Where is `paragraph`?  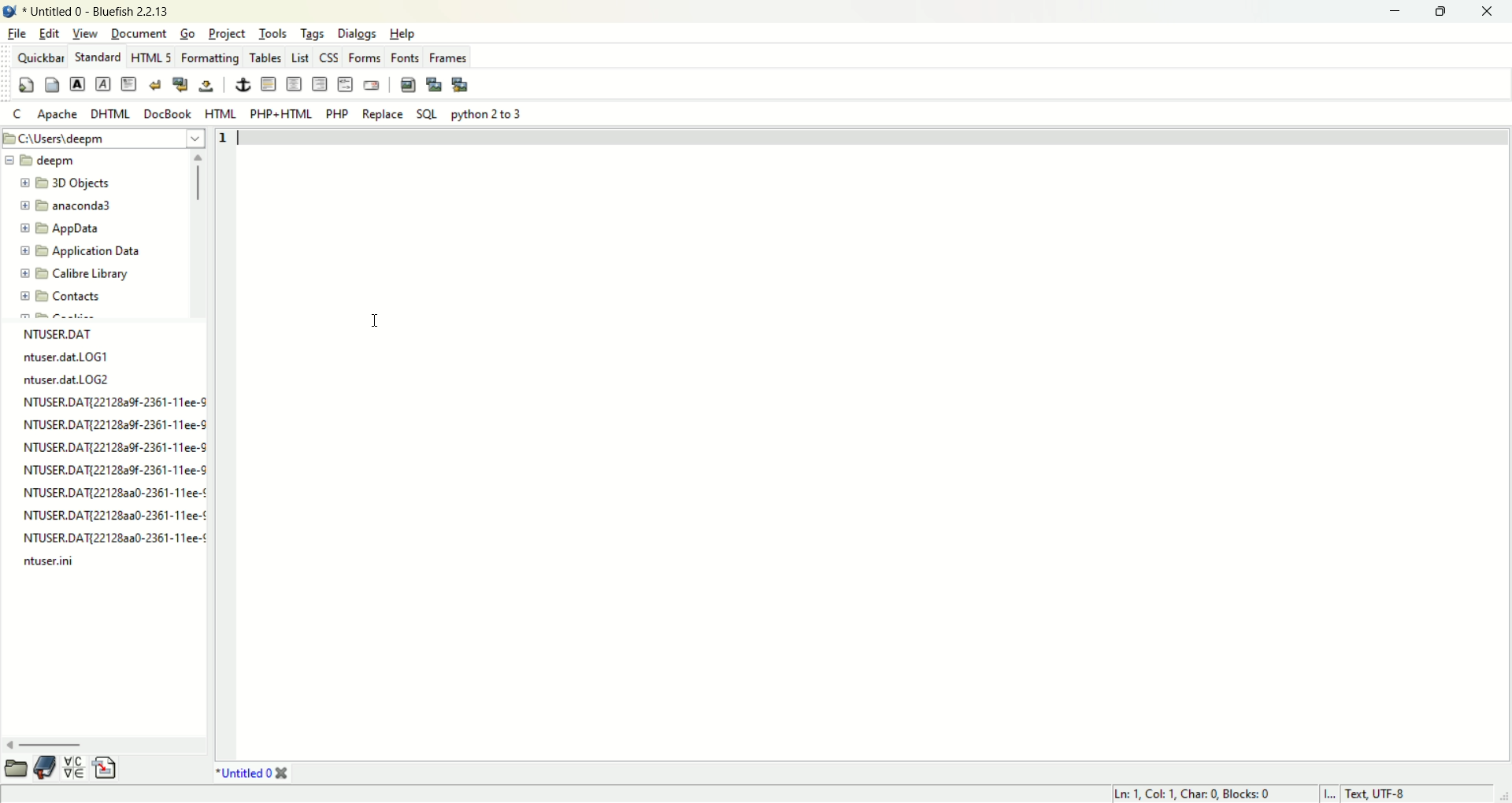
paragraph is located at coordinates (132, 86).